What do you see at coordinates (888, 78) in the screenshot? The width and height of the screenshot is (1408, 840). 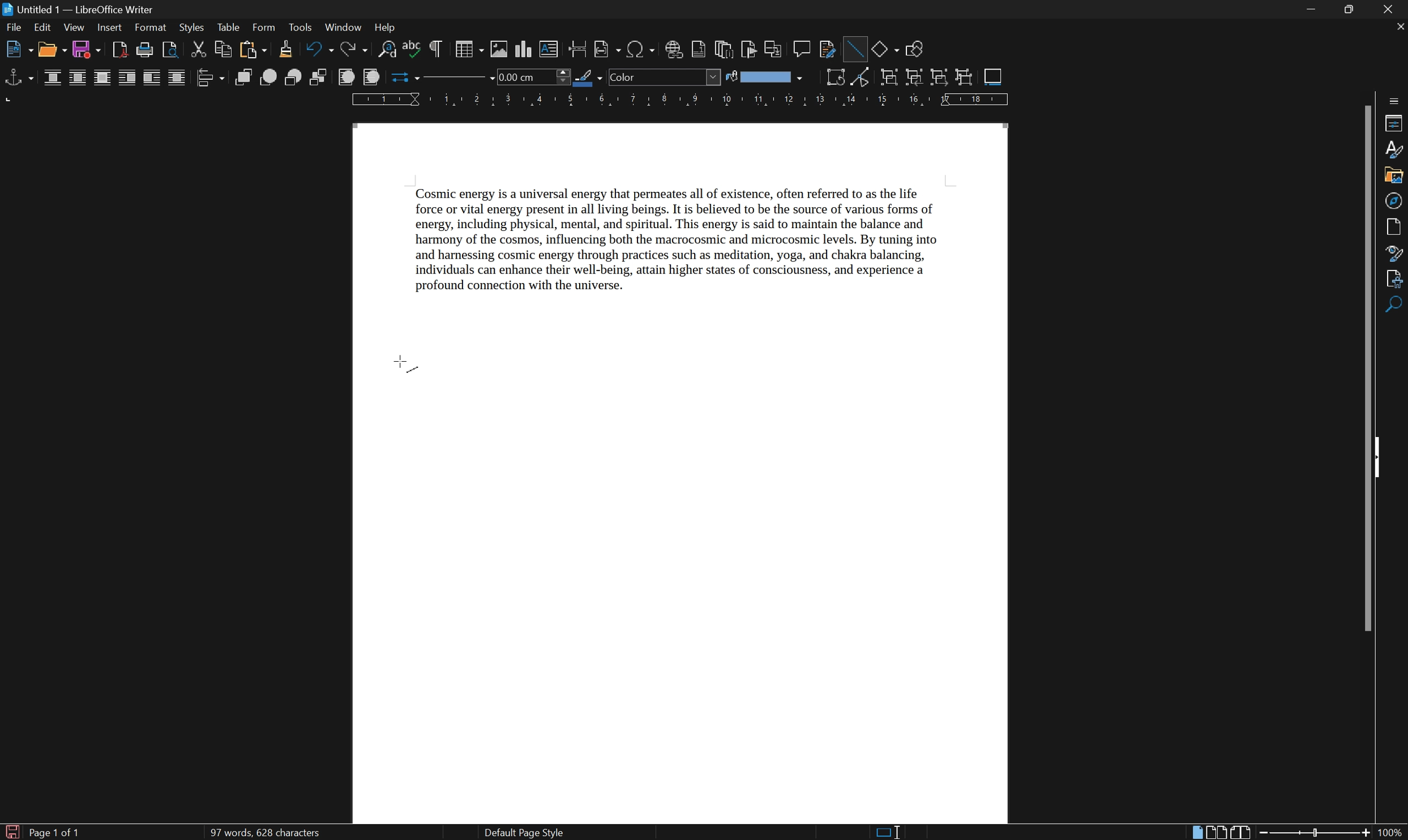 I see `group` at bounding box center [888, 78].